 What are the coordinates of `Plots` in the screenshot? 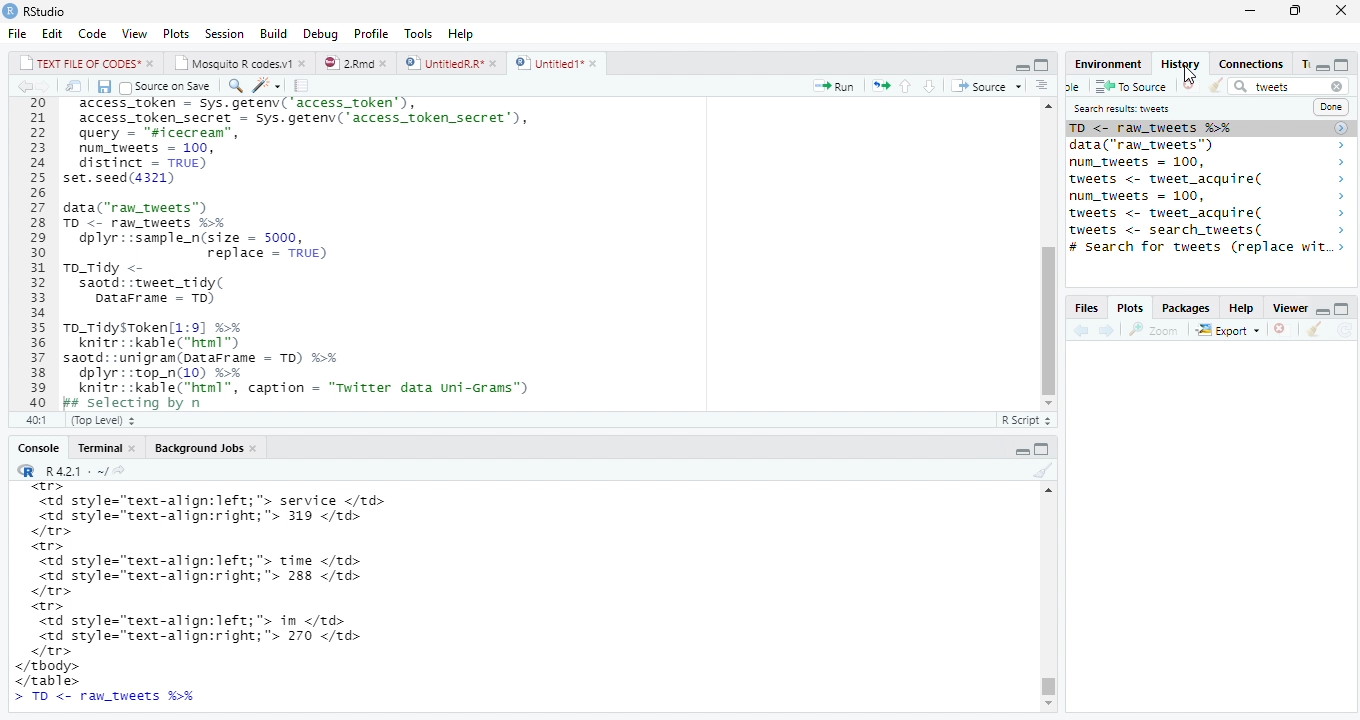 It's located at (176, 32).